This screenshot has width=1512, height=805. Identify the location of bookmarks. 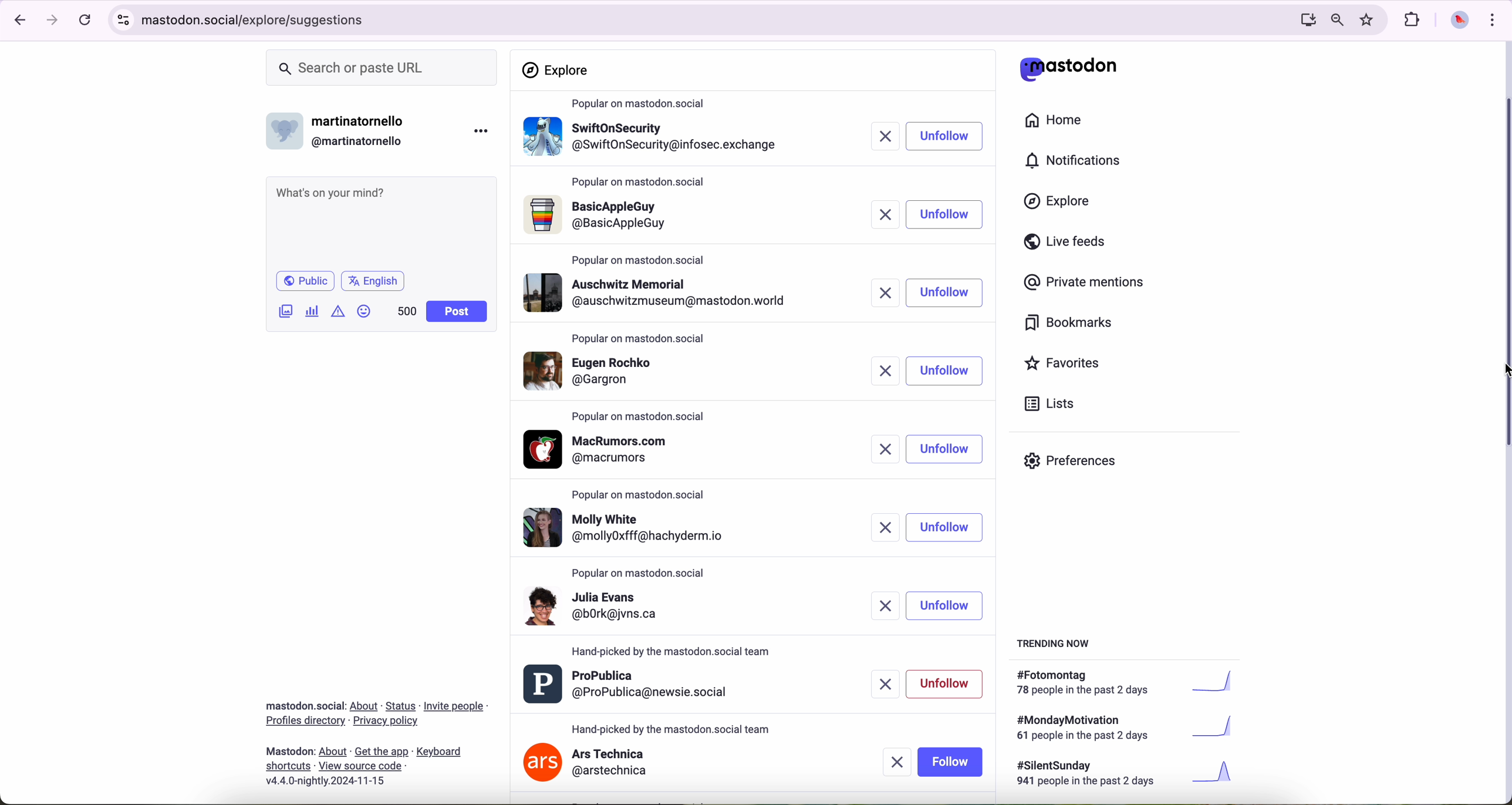
(1069, 325).